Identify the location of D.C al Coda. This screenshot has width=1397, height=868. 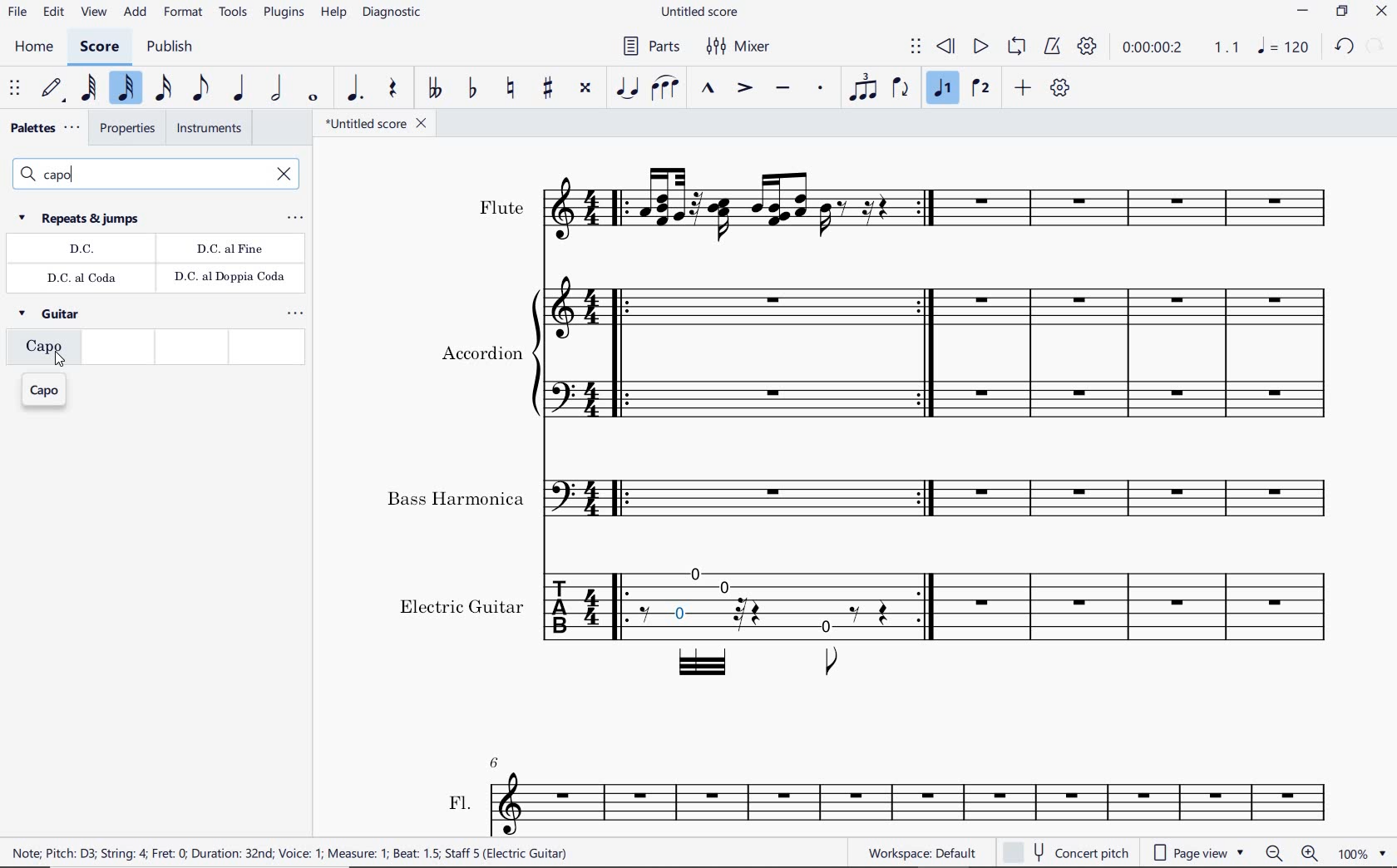
(85, 279).